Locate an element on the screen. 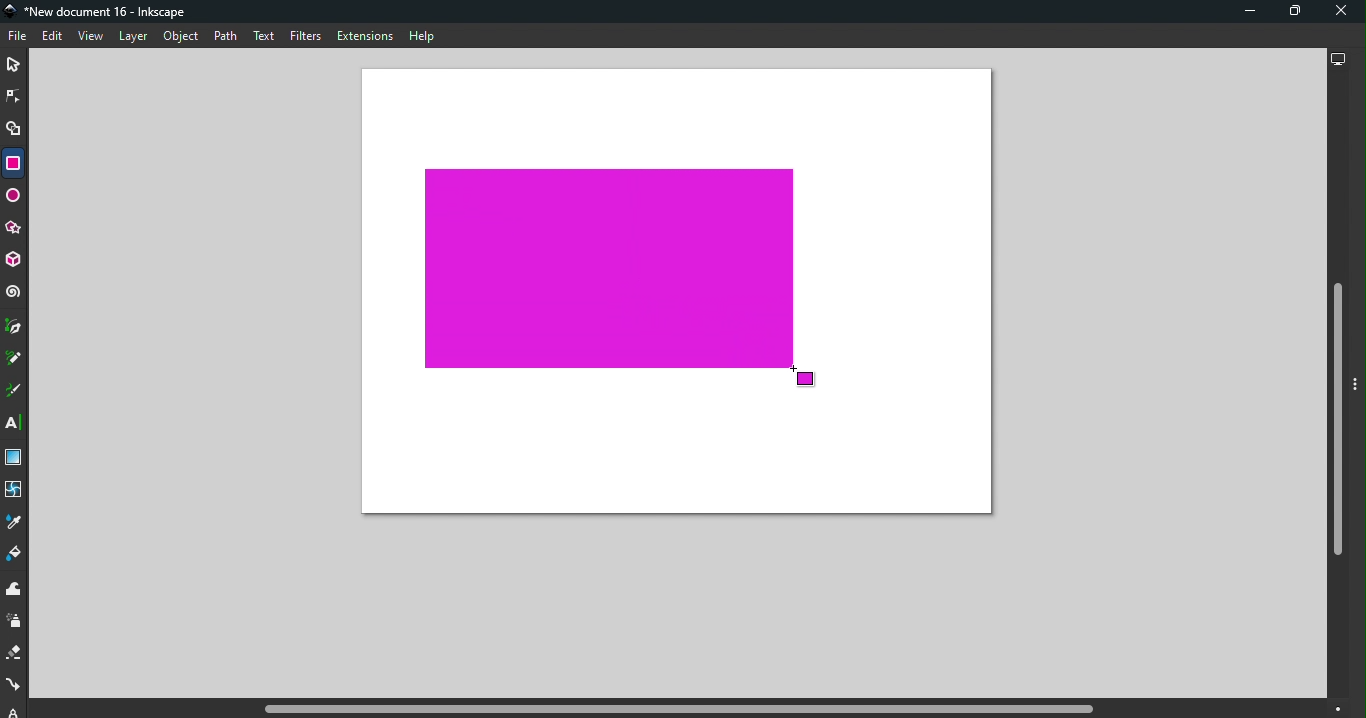 This screenshot has height=718, width=1366. Eraser tool is located at coordinates (16, 653).